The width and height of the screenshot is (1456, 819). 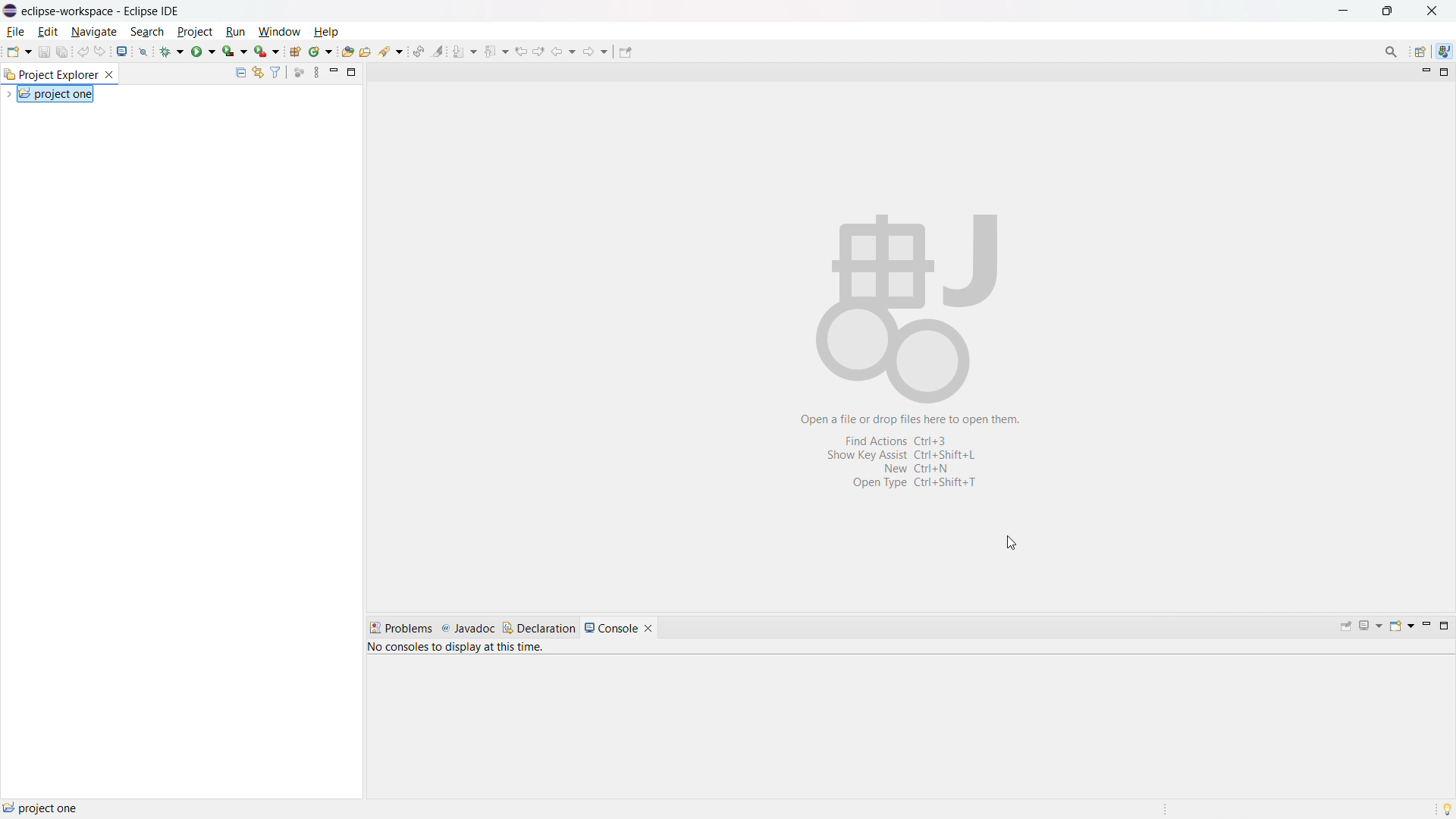 What do you see at coordinates (908, 469) in the screenshot?
I see `new ctrl+N` at bounding box center [908, 469].